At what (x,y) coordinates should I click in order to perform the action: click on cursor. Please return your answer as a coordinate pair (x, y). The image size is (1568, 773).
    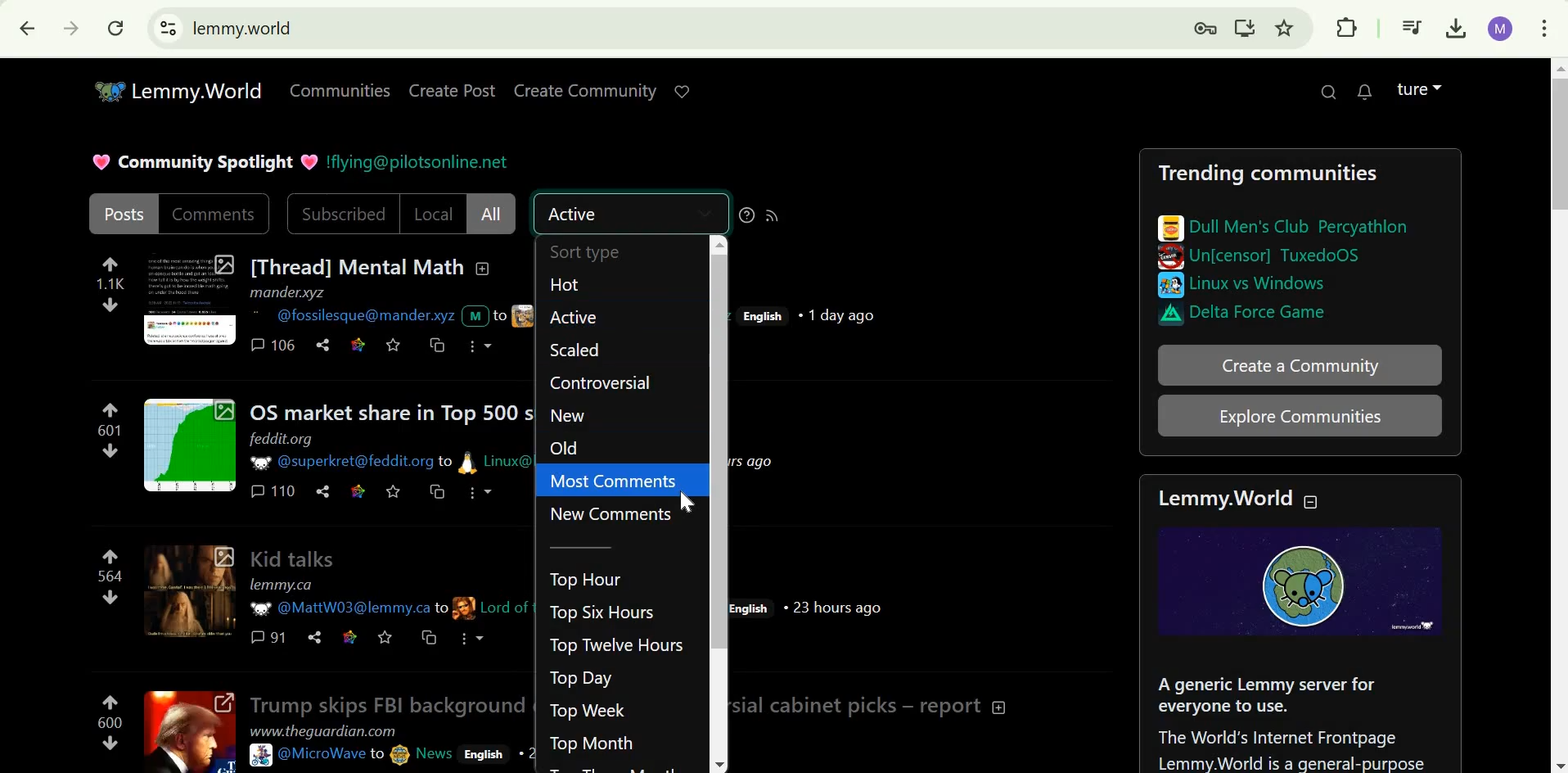
    Looking at the image, I should click on (687, 503).